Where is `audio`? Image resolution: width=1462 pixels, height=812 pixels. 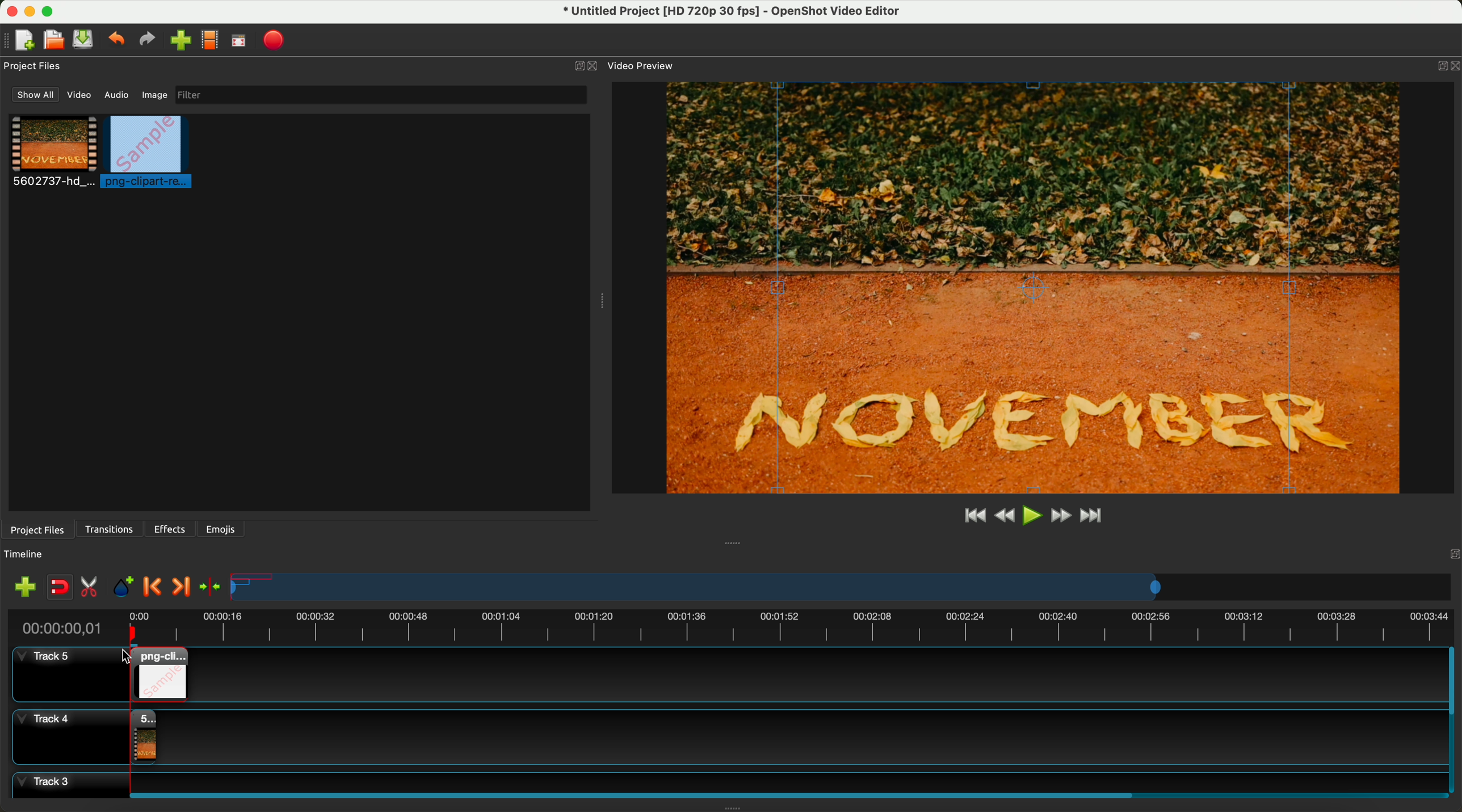
audio is located at coordinates (117, 94).